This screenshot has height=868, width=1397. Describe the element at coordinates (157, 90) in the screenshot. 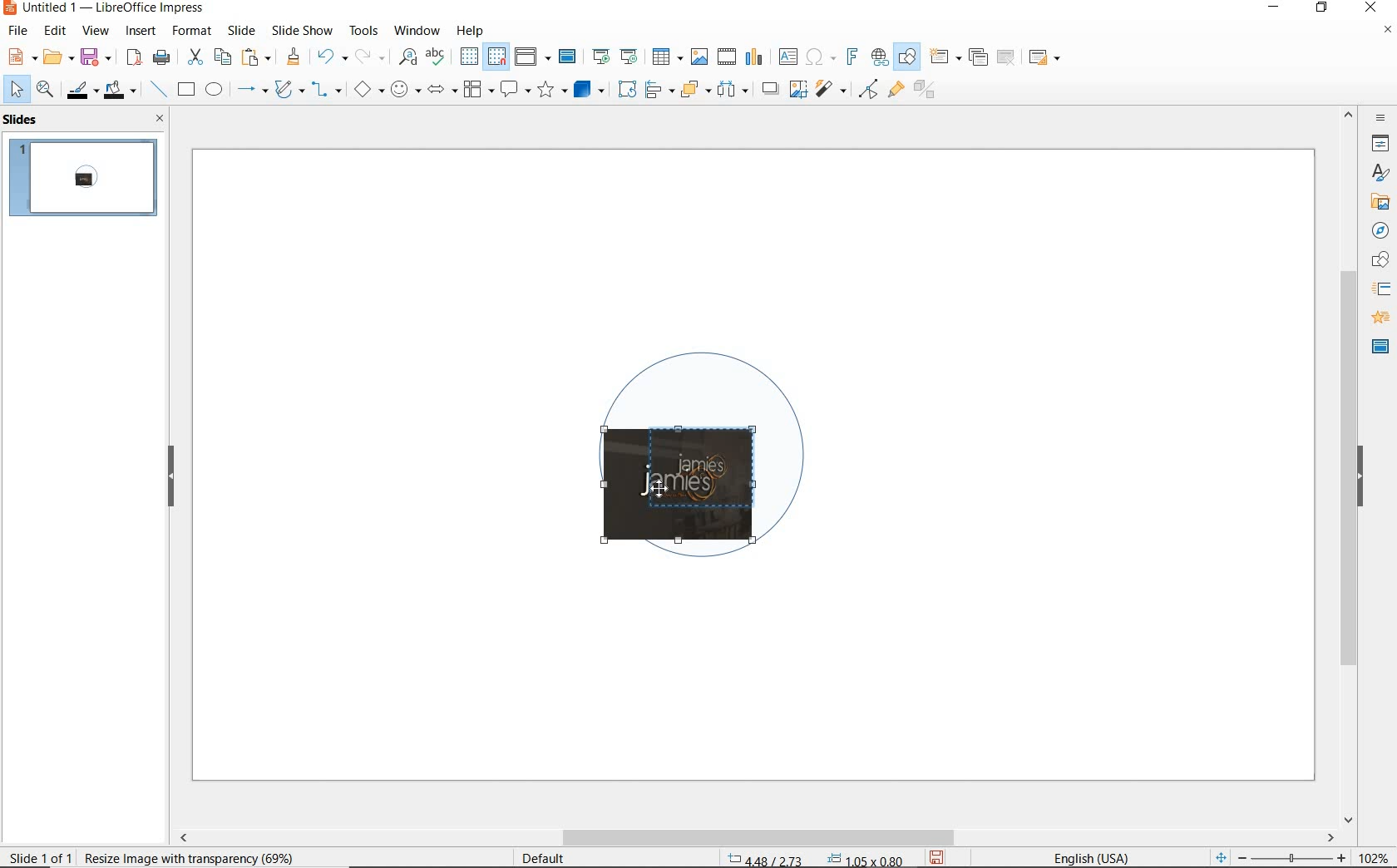

I see `insert line` at that location.